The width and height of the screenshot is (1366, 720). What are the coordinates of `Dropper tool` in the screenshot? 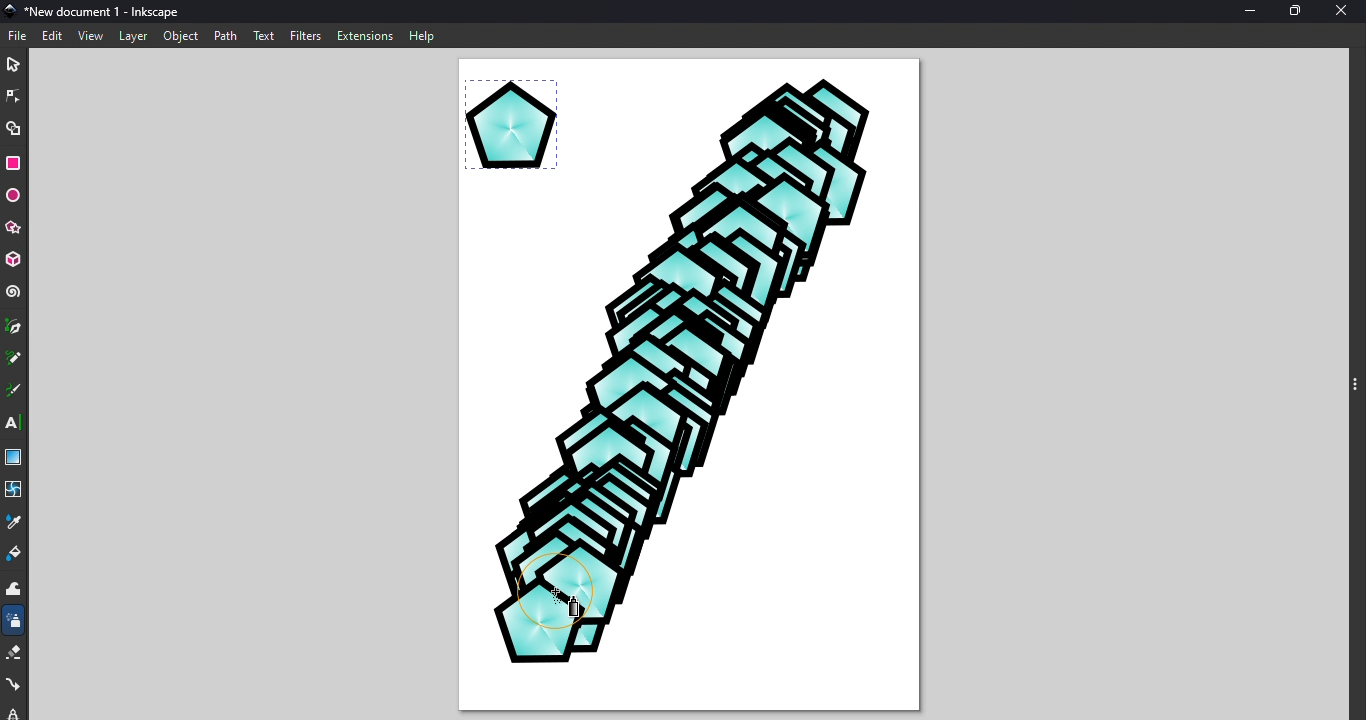 It's located at (17, 521).